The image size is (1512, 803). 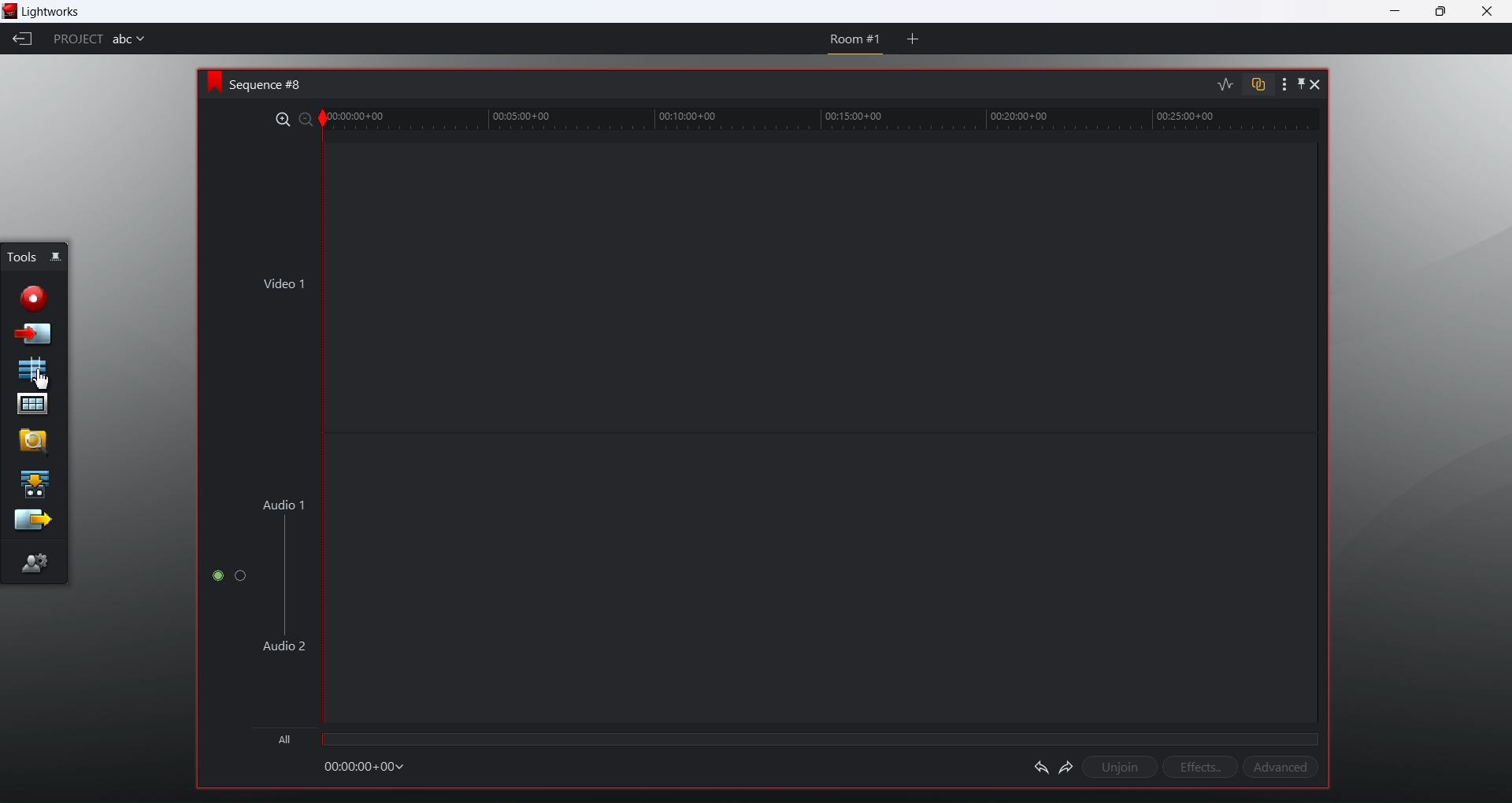 I want to click on redo, so click(x=1064, y=766).